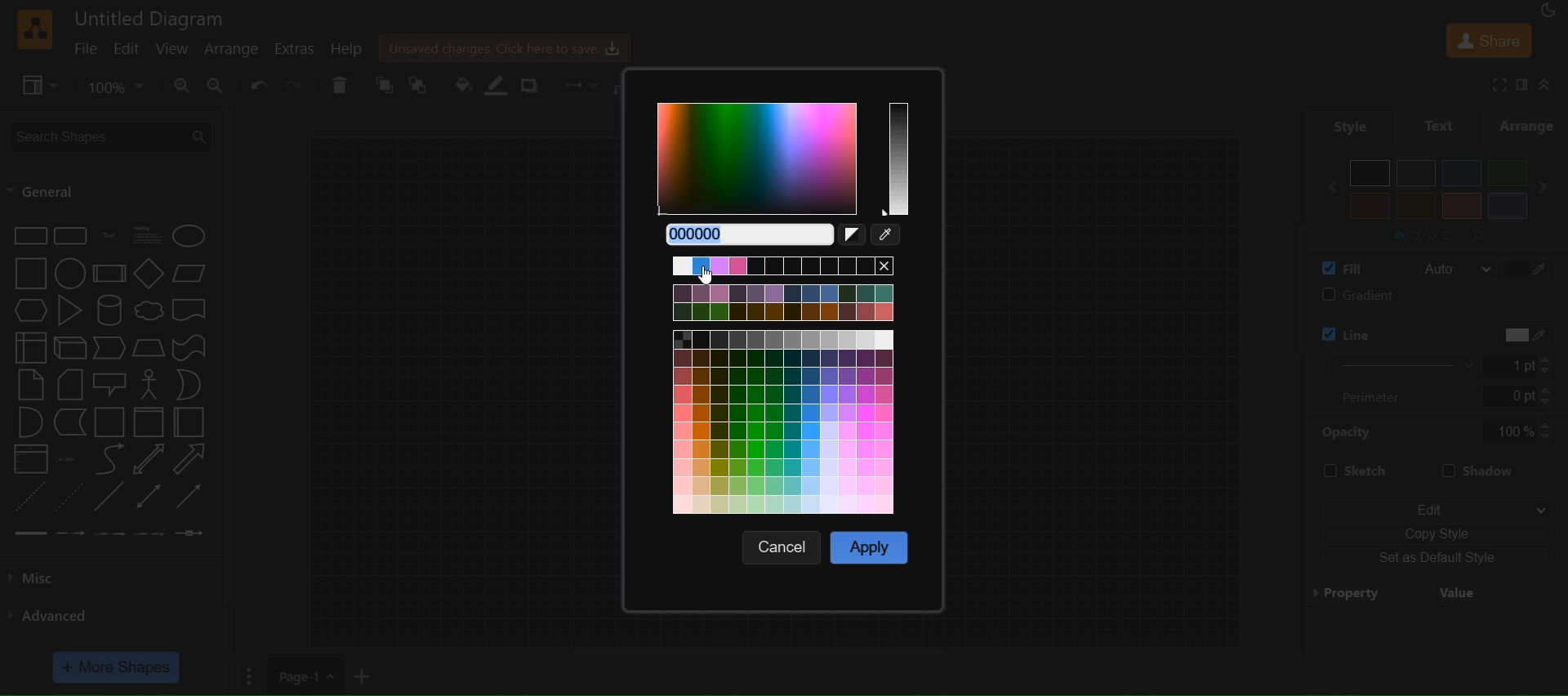 The height and width of the screenshot is (696, 1568). What do you see at coordinates (111, 349) in the screenshot?
I see `step` at bounding box center [111, 349].